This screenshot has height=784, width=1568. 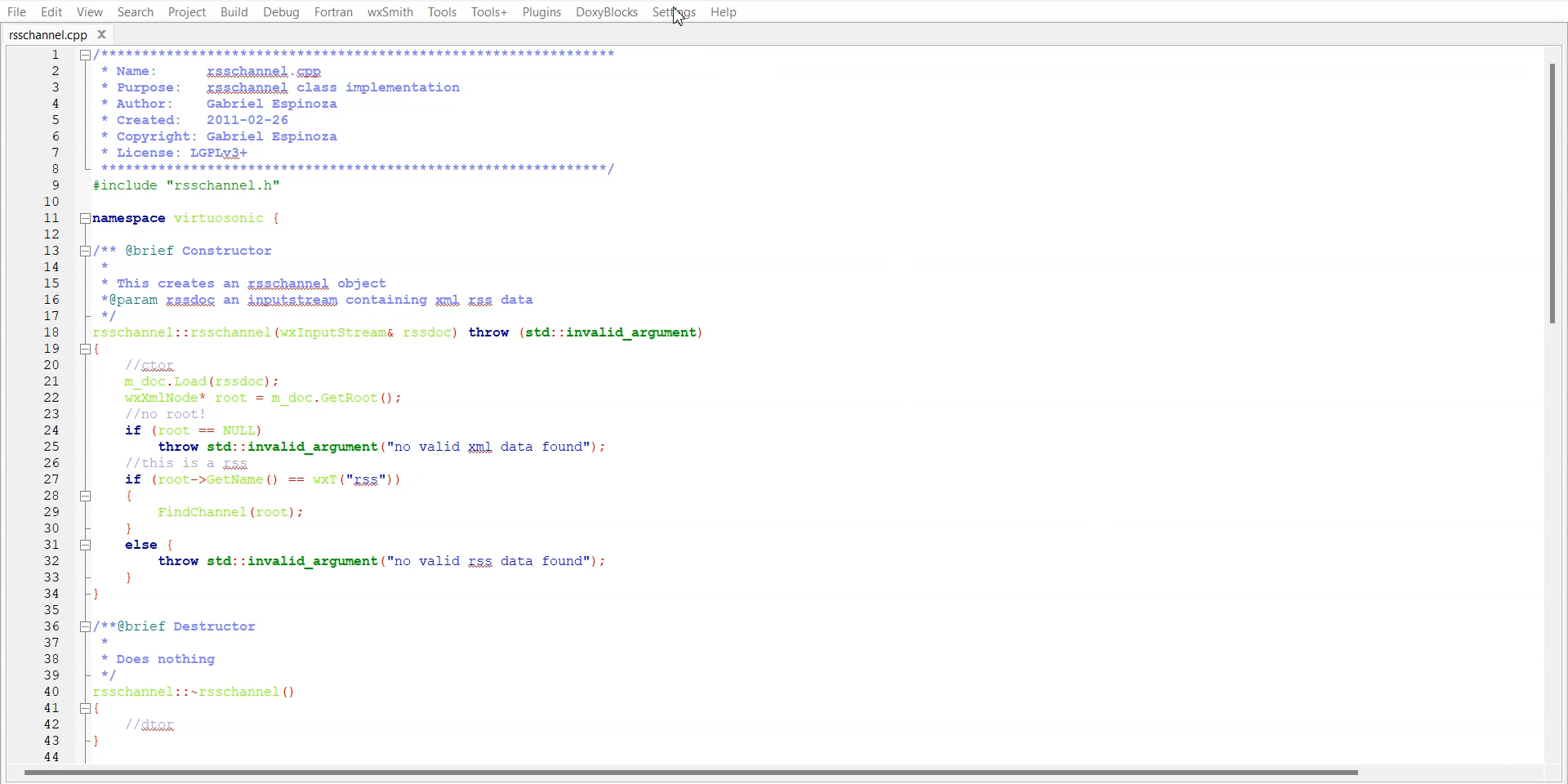 What do you see at coordinates (186, 11) in the screenshot?
I see `Project` at bounding box center [186, 11].